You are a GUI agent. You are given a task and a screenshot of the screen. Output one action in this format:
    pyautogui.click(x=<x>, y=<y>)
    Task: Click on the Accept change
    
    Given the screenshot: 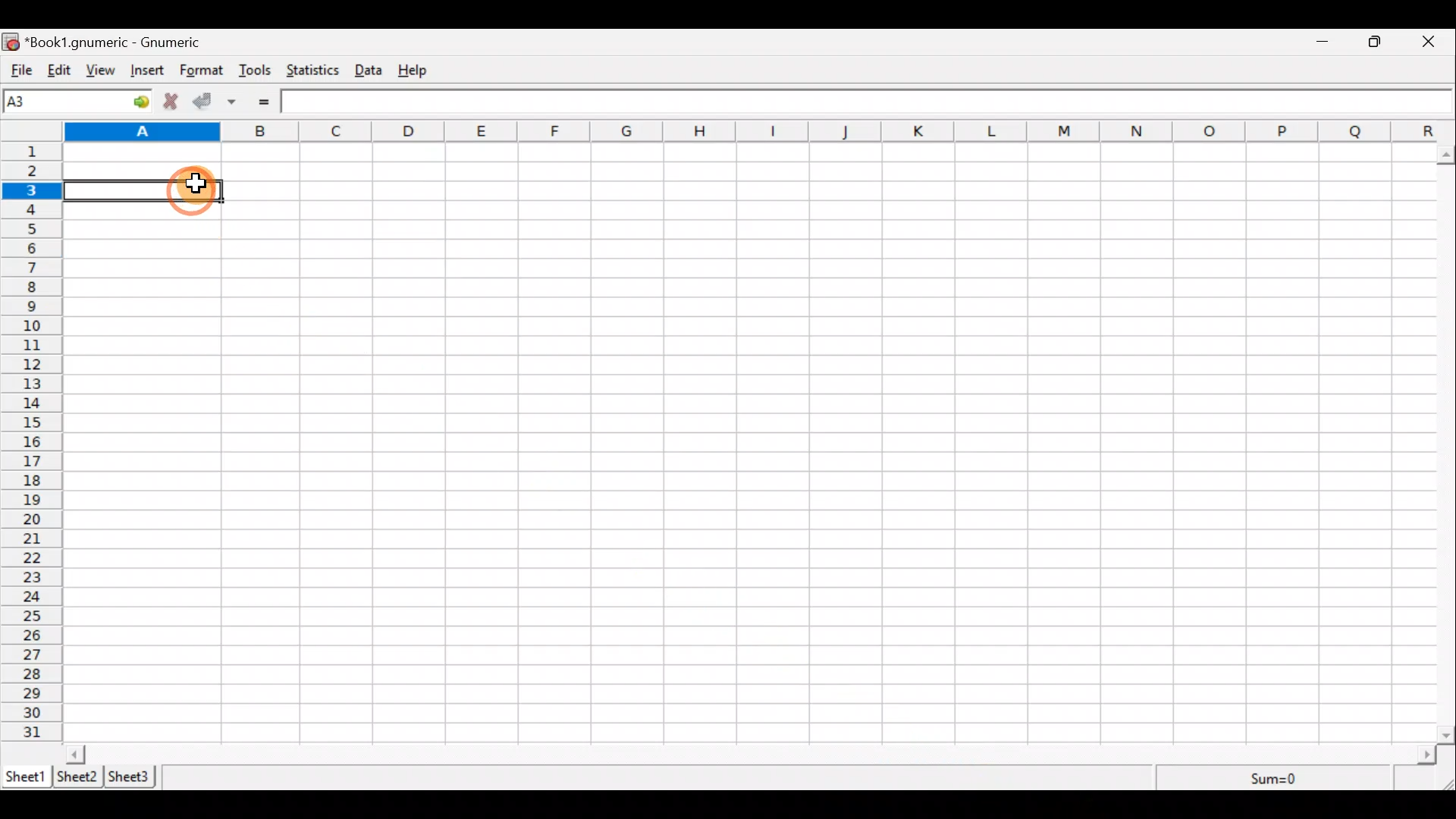 What is the action you would take?
    pyautogui.click(x=206, y=102)
    